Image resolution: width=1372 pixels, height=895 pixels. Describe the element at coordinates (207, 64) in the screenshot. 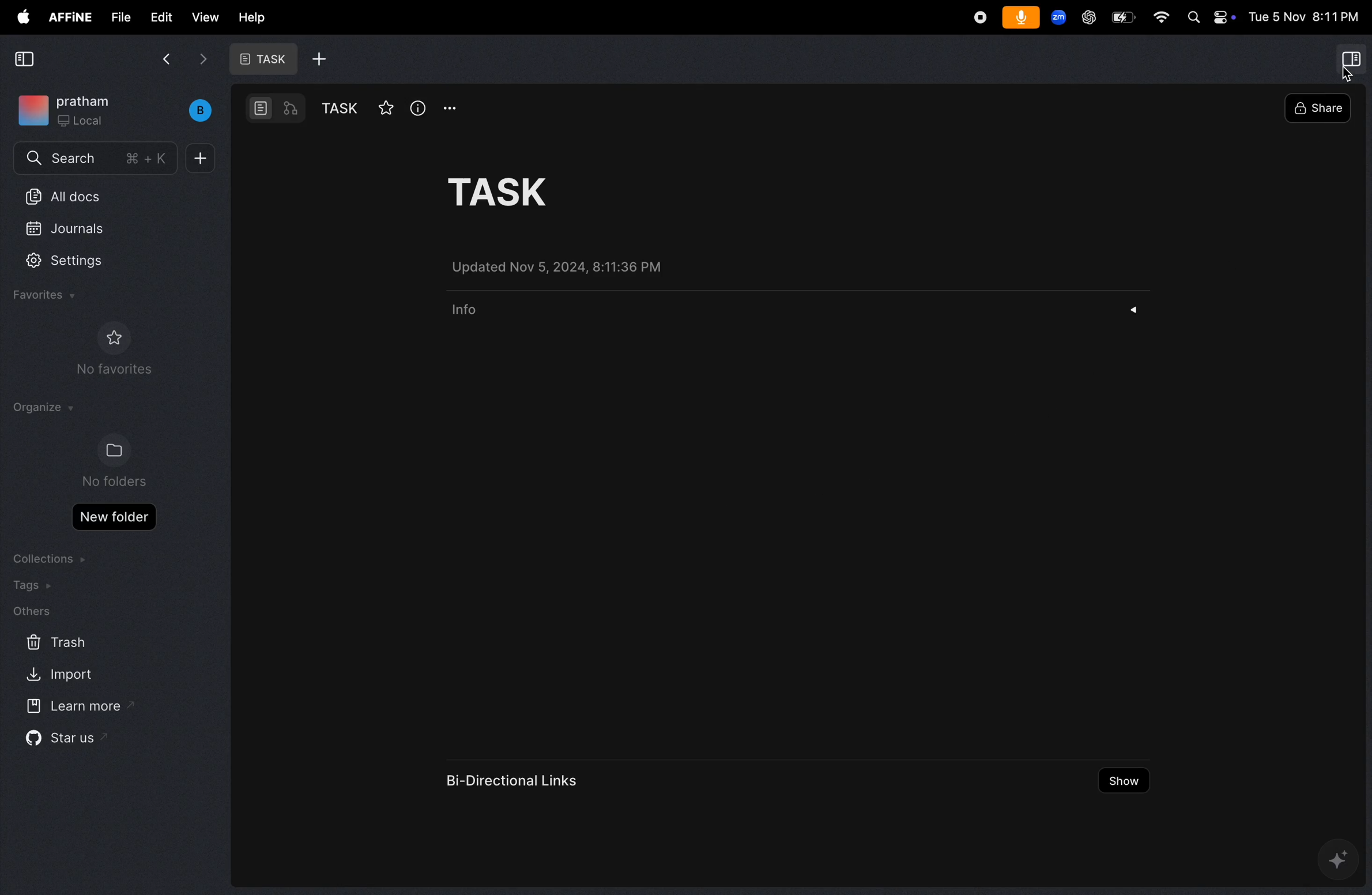

I see `next` at that location.